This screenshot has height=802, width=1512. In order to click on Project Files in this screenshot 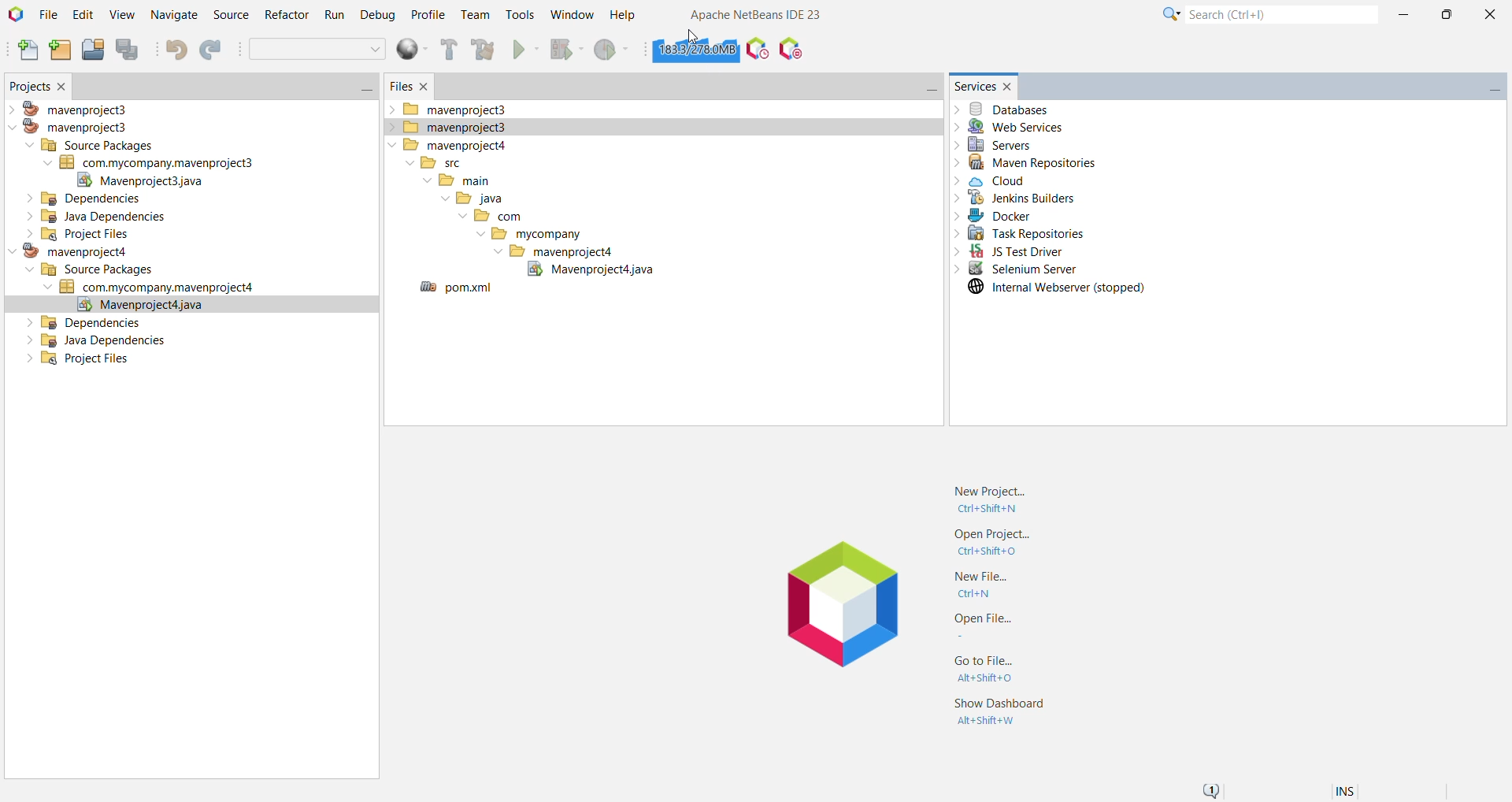, I will do `click(70, 235)`.